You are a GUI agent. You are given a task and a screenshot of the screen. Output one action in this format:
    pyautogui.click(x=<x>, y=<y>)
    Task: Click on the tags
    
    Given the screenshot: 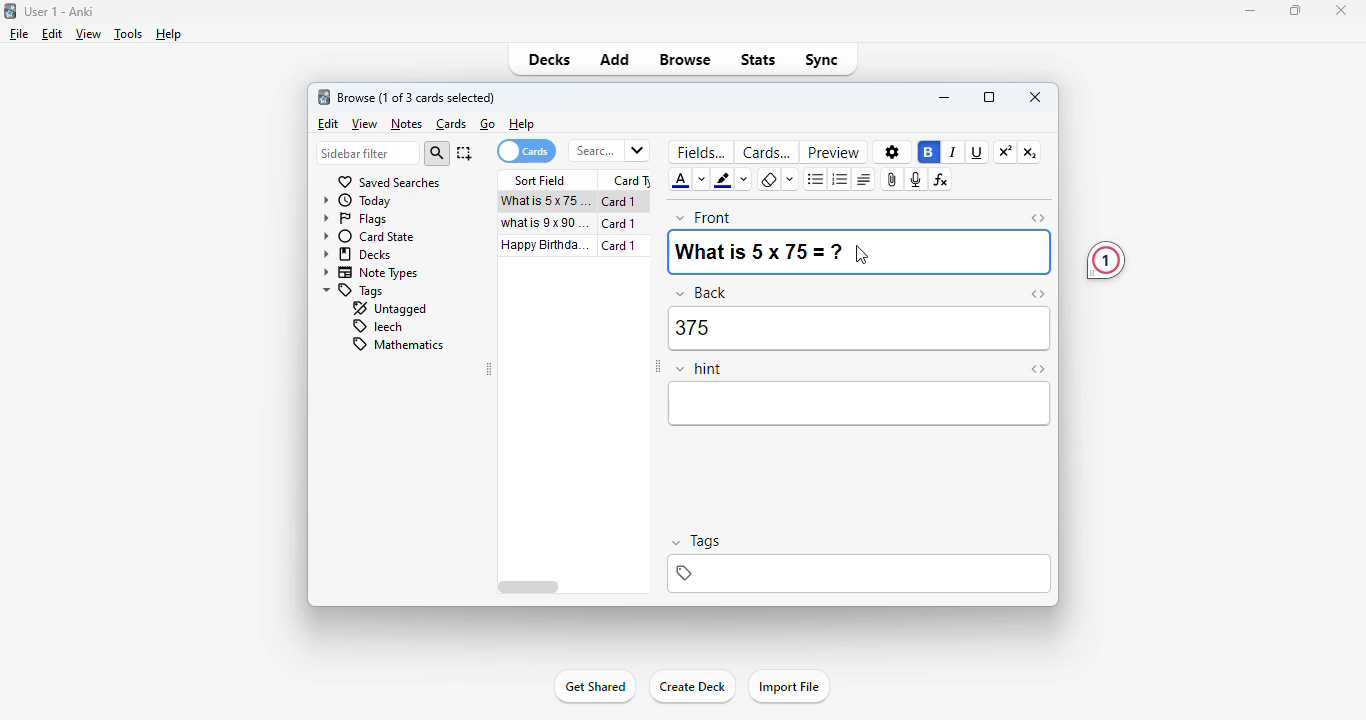 What is the action you would take?
    pyautogui.click(x=861, y=574)
    